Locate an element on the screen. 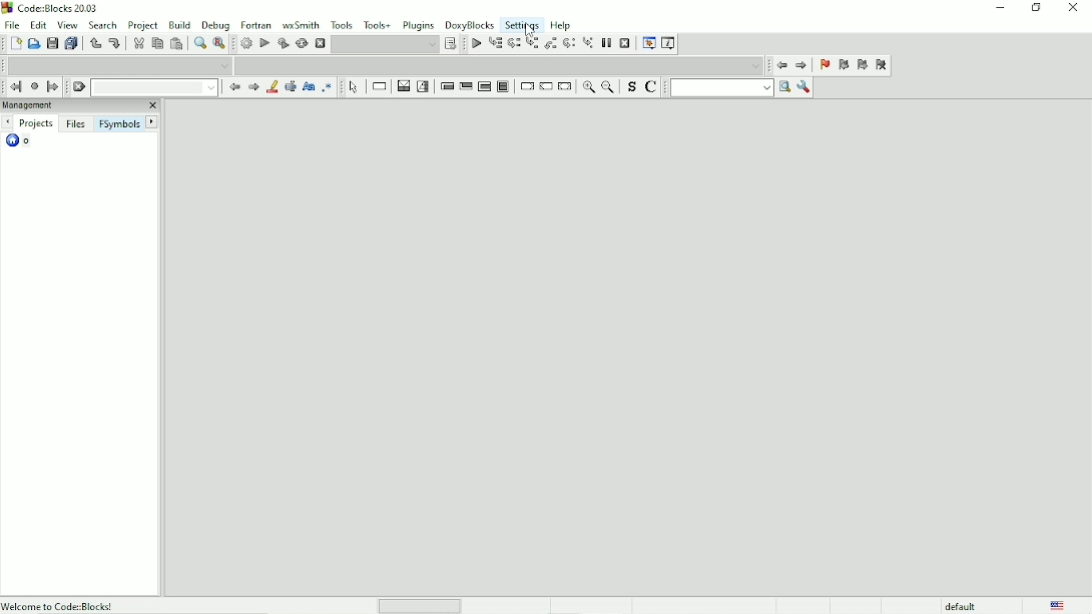 This screenshot has width=1092, height=614. Rebuild is located at coordinates (300, 44).